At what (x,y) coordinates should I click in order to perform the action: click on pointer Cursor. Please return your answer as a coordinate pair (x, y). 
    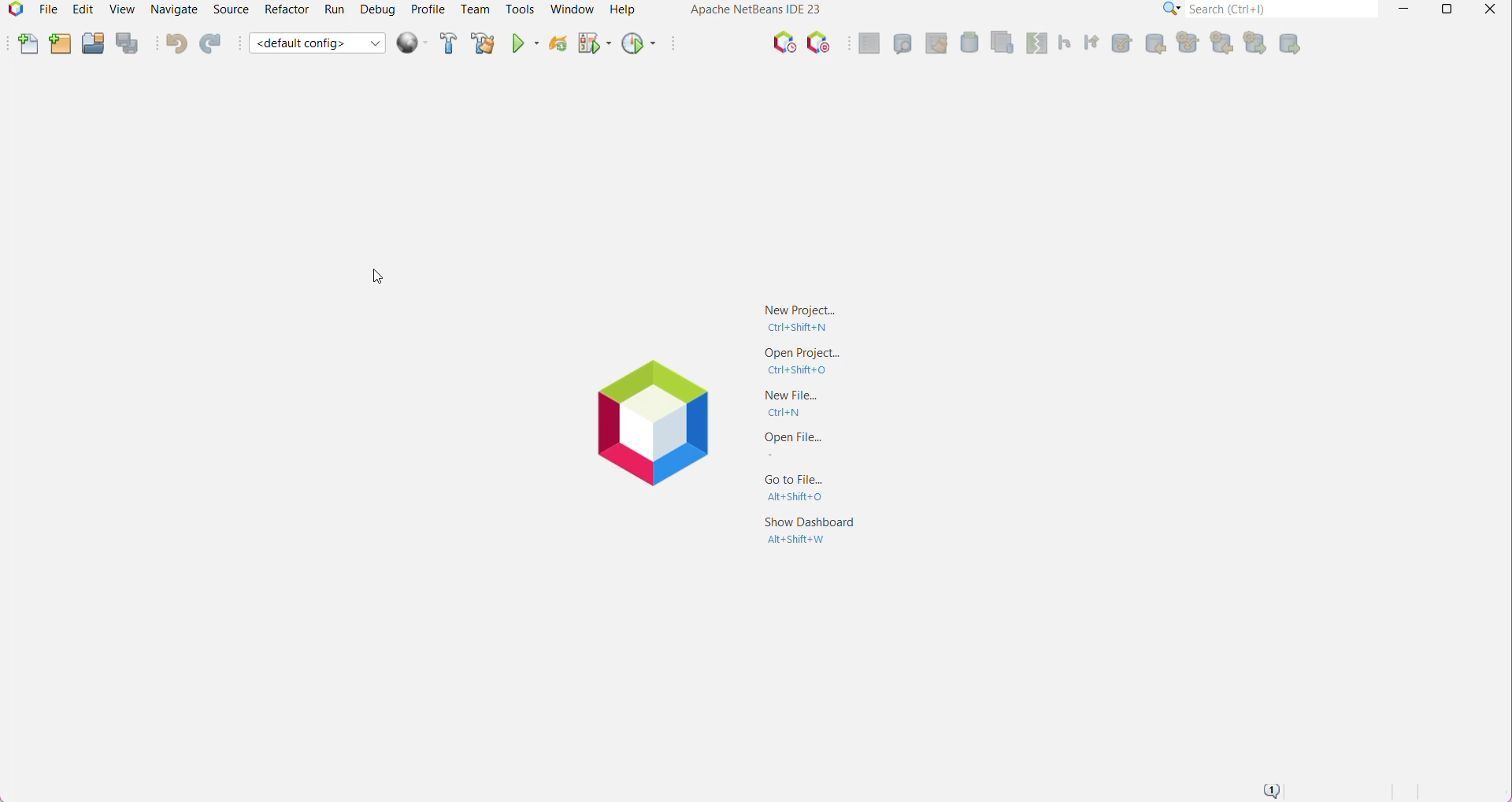
    Looking at the image, I should click on (375, 280).